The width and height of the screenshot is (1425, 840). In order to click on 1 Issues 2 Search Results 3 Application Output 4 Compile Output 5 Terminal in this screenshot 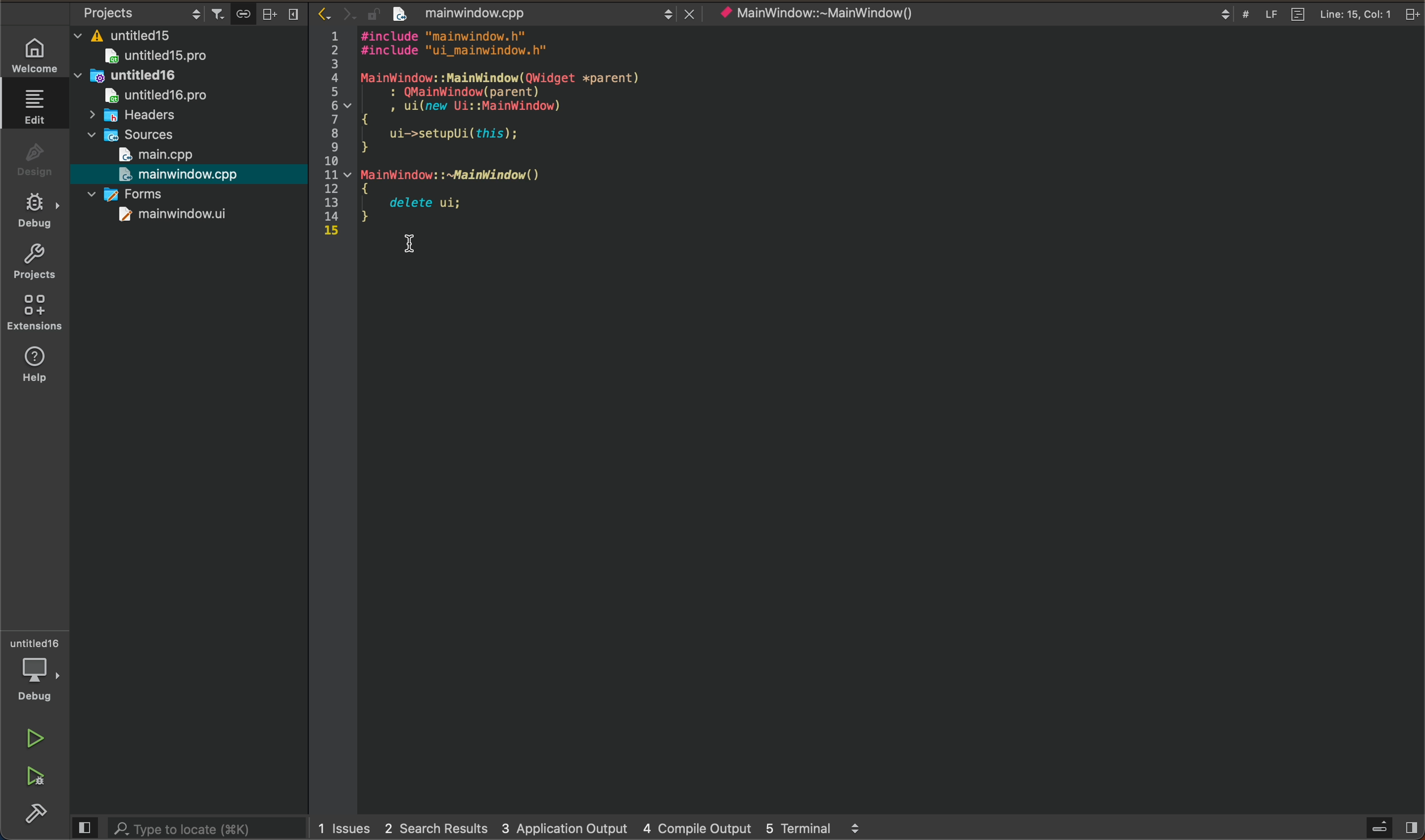, I will do `click(587, 830)`.